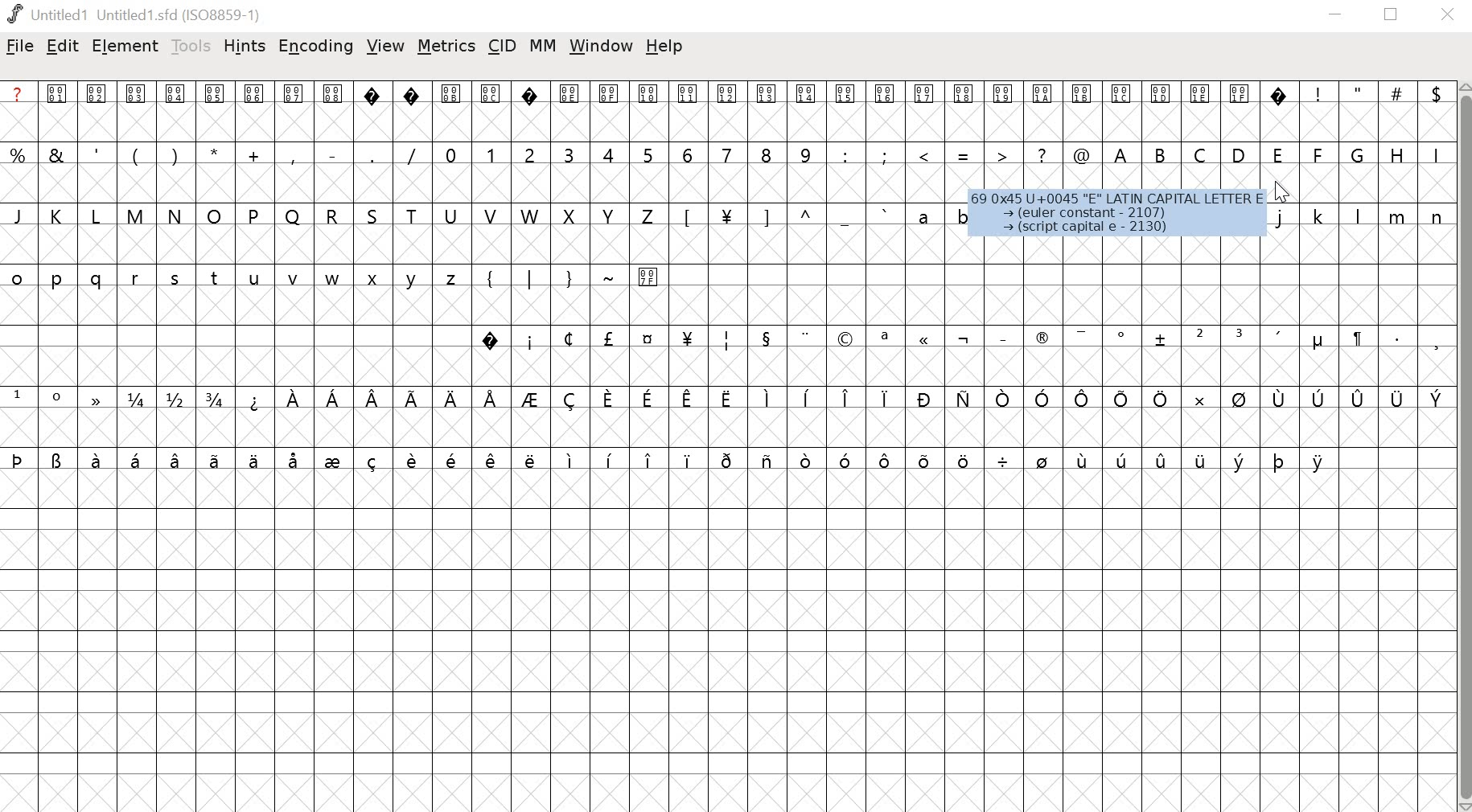  I want to click on metrics, so click(446, 48).